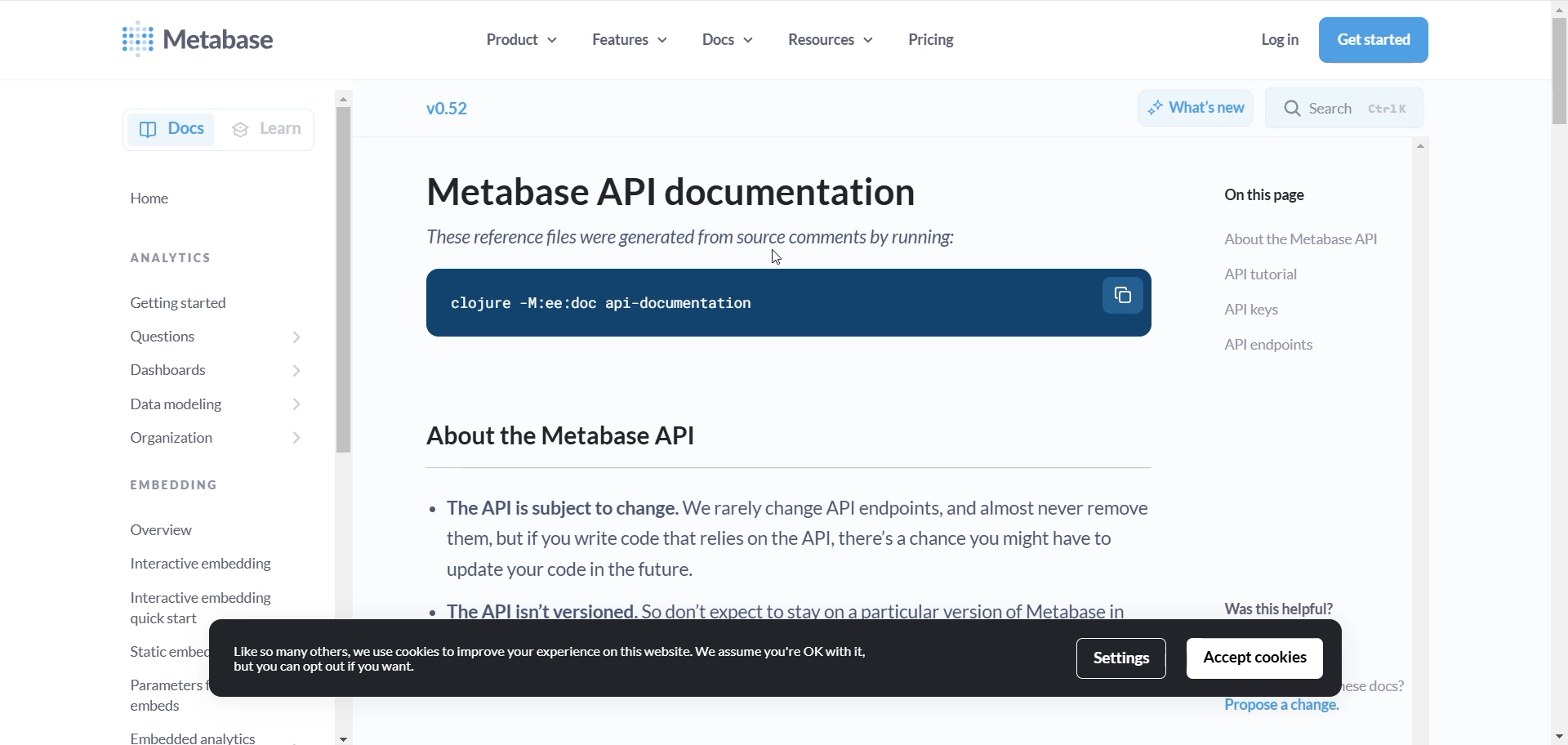 This screenshot has height=745, width=1568. I want to click on product , so click(523, 43).